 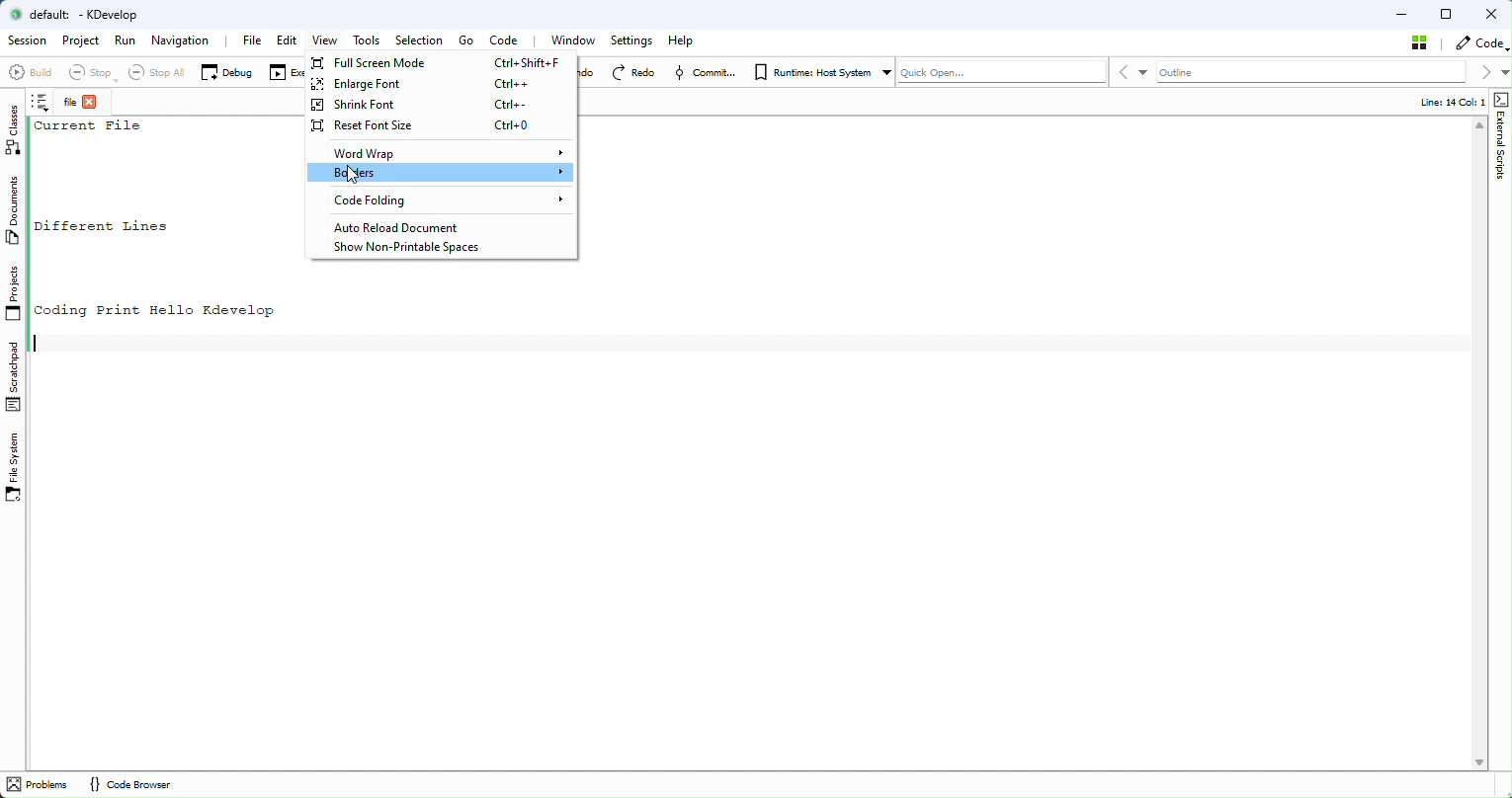 I want to click on Stop all, so click(x=151, y=72).